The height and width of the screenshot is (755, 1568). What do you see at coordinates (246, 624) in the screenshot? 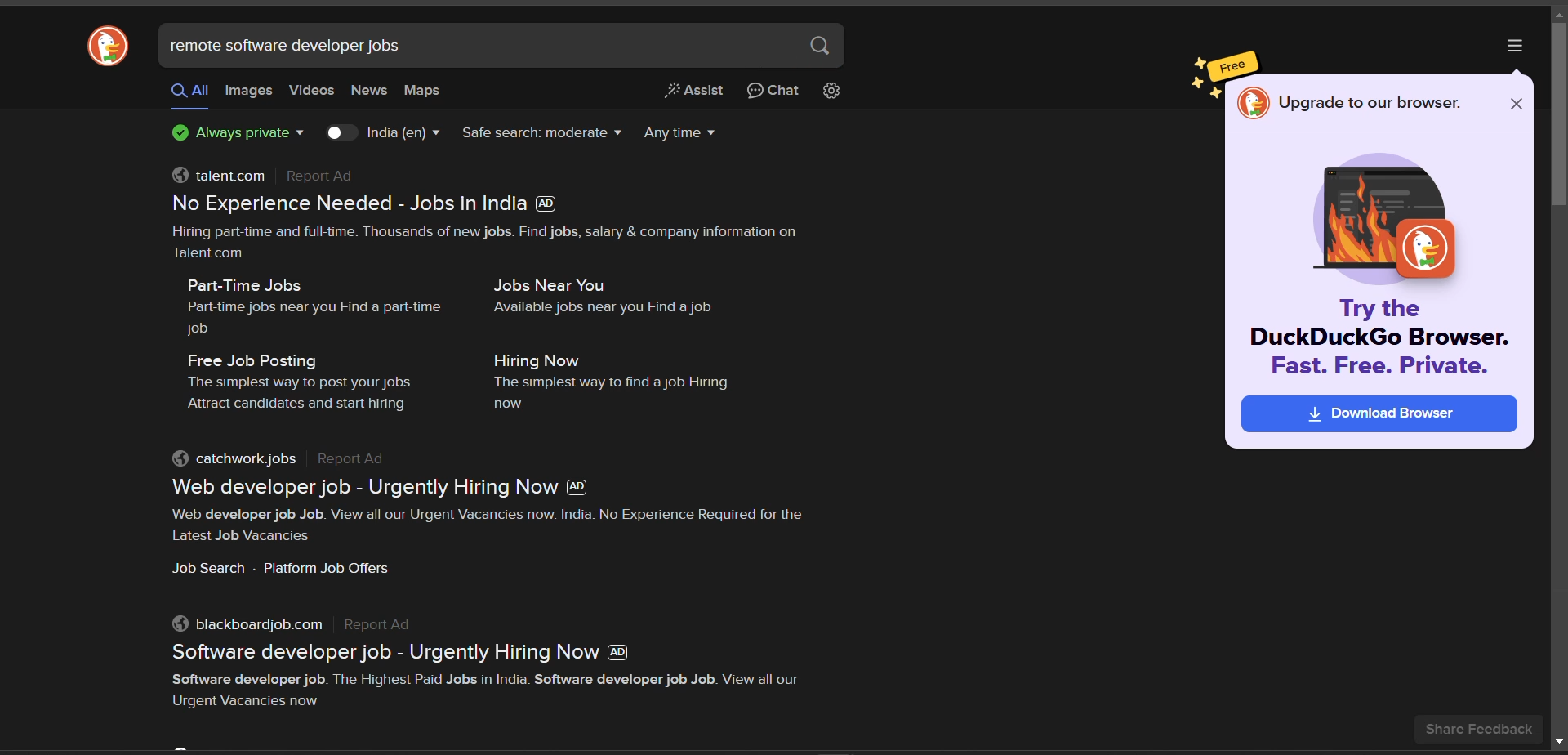
I see `blackboardjob.com` at bounding box center [246, 624].